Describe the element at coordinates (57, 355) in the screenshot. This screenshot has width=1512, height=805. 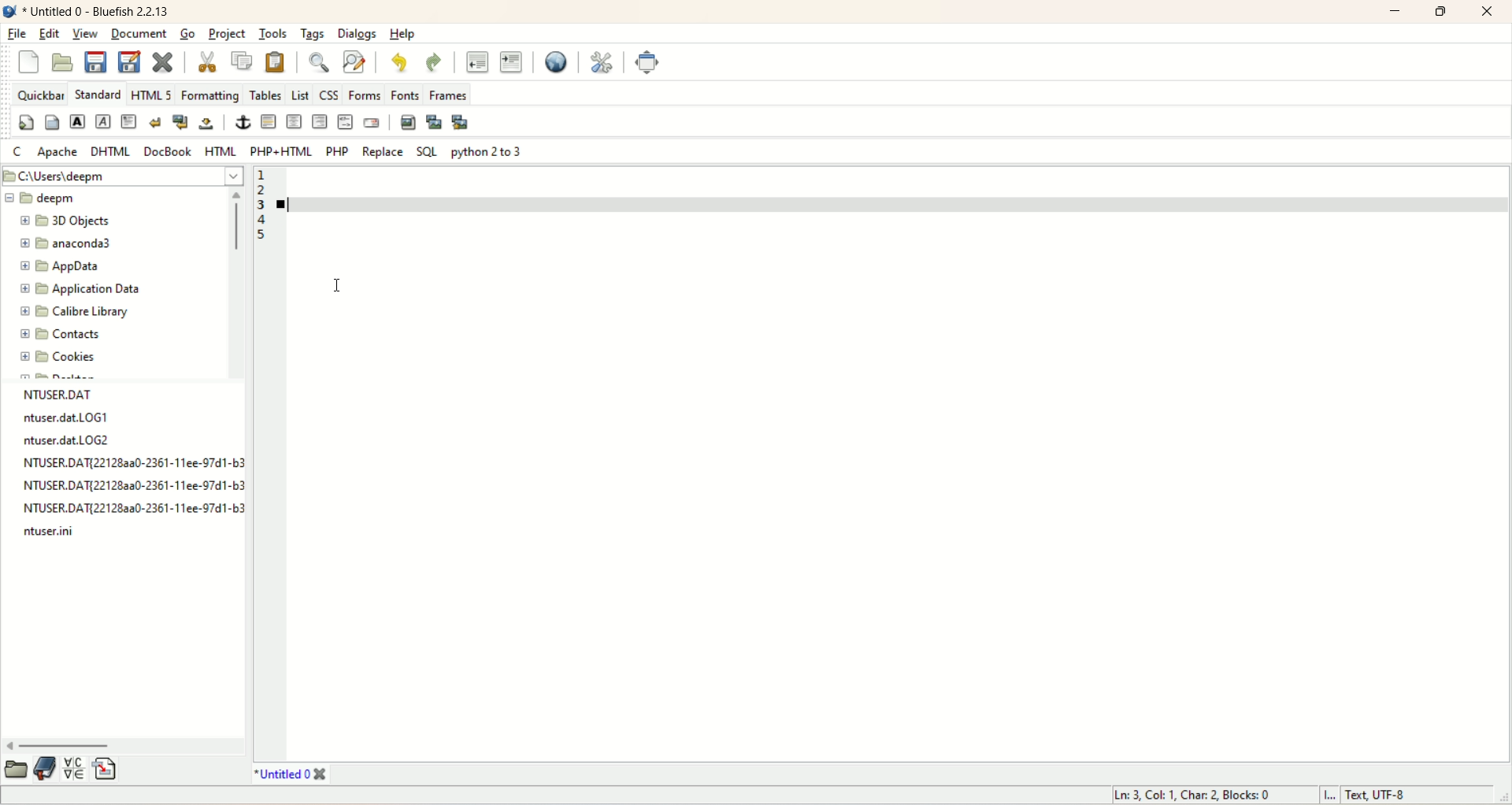
I see `cookies` at that location.